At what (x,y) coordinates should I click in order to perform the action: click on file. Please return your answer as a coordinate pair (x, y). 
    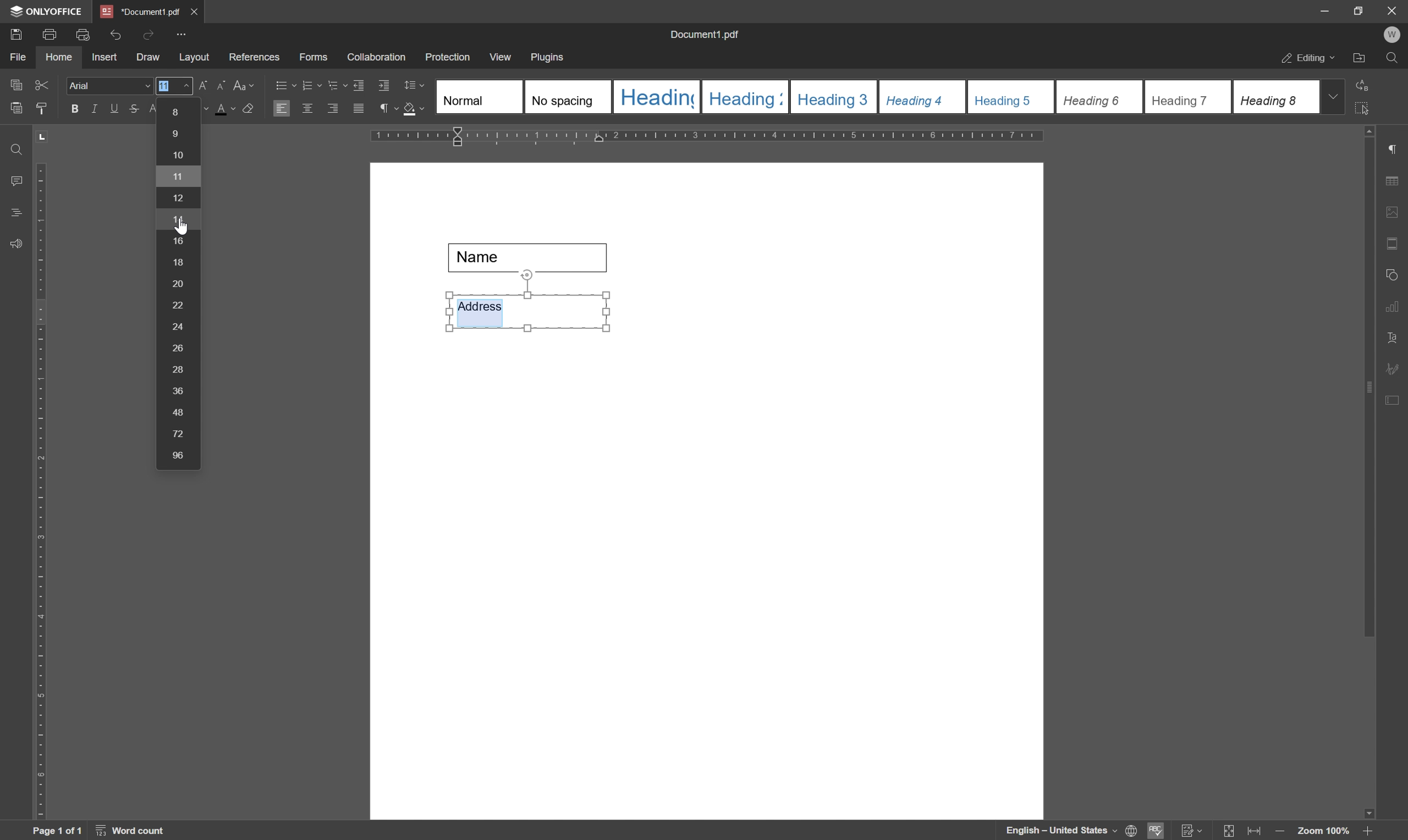
    Looking at the image, I should click on (16, 57).